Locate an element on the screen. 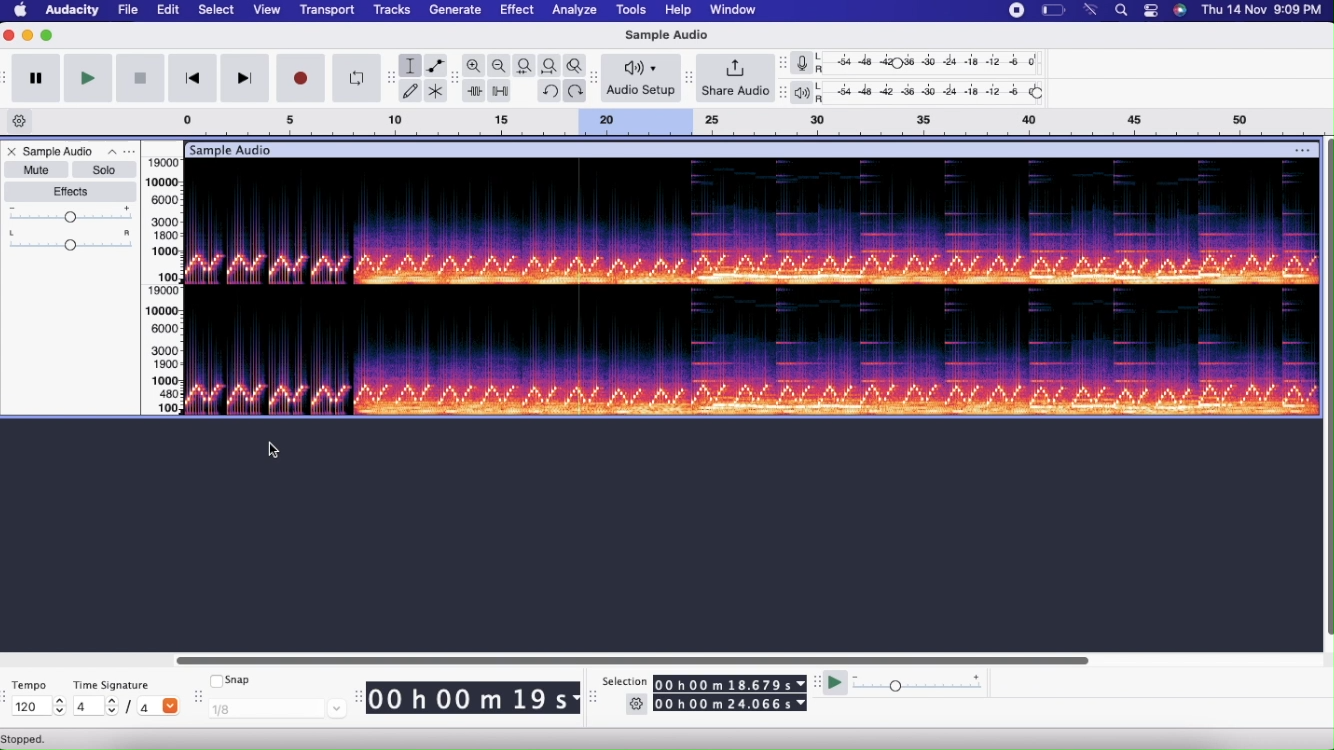  View is located at coordinates (267, 10).